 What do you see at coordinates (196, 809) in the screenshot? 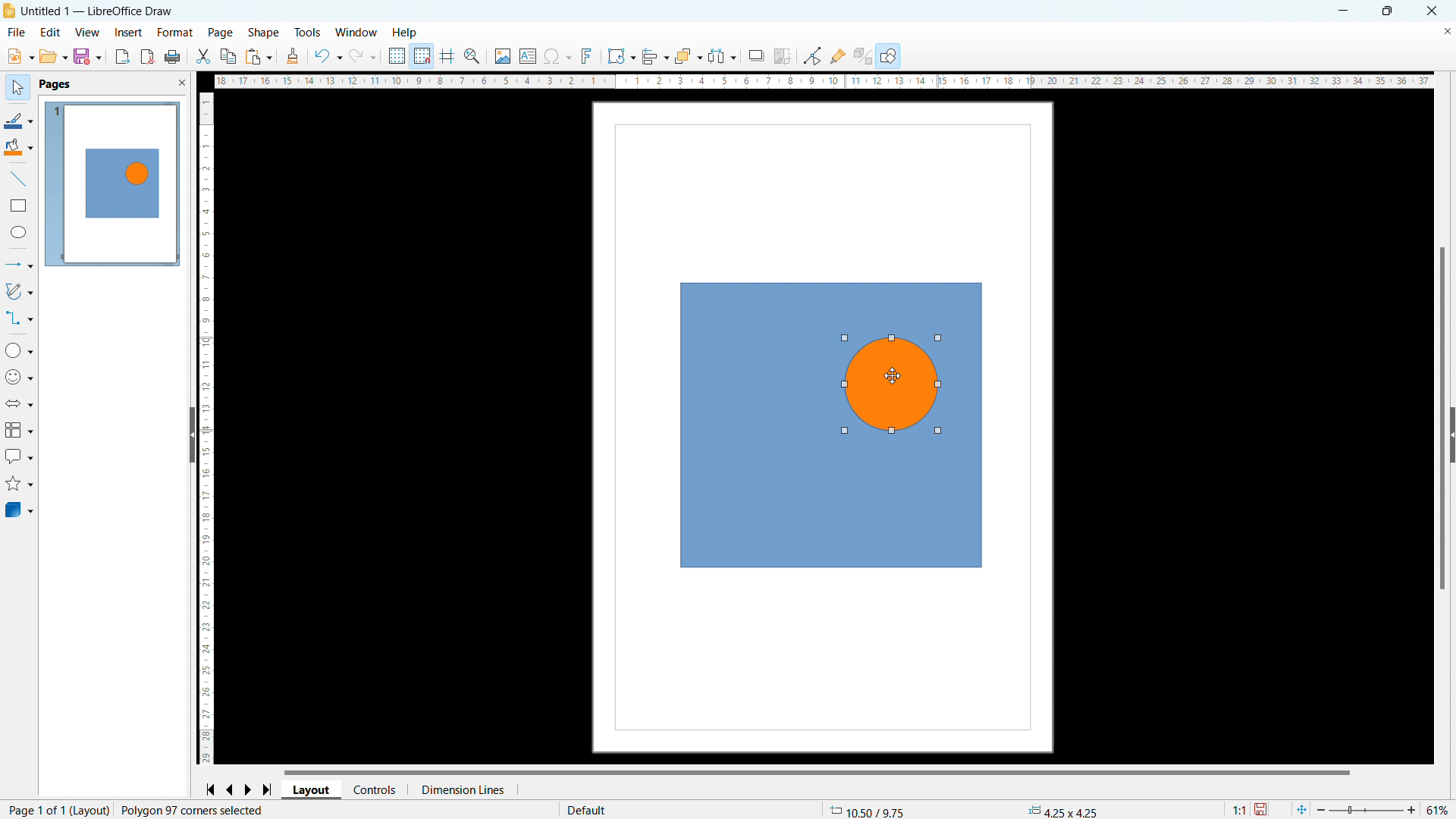
I see `Polygon 97 corner selected` at bounding box center [196, 809].